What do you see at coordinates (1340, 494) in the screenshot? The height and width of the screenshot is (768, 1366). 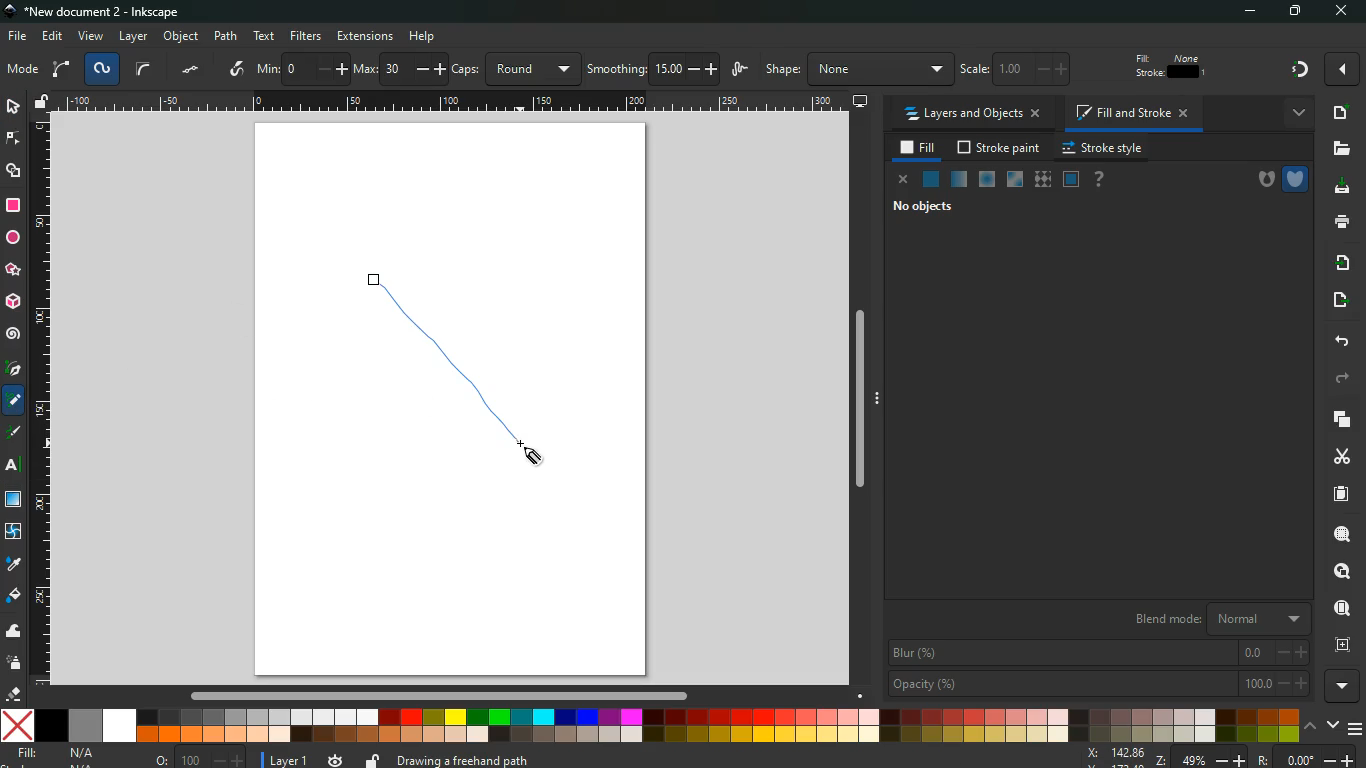 I see `paper` at bounding box center [1340, 494].